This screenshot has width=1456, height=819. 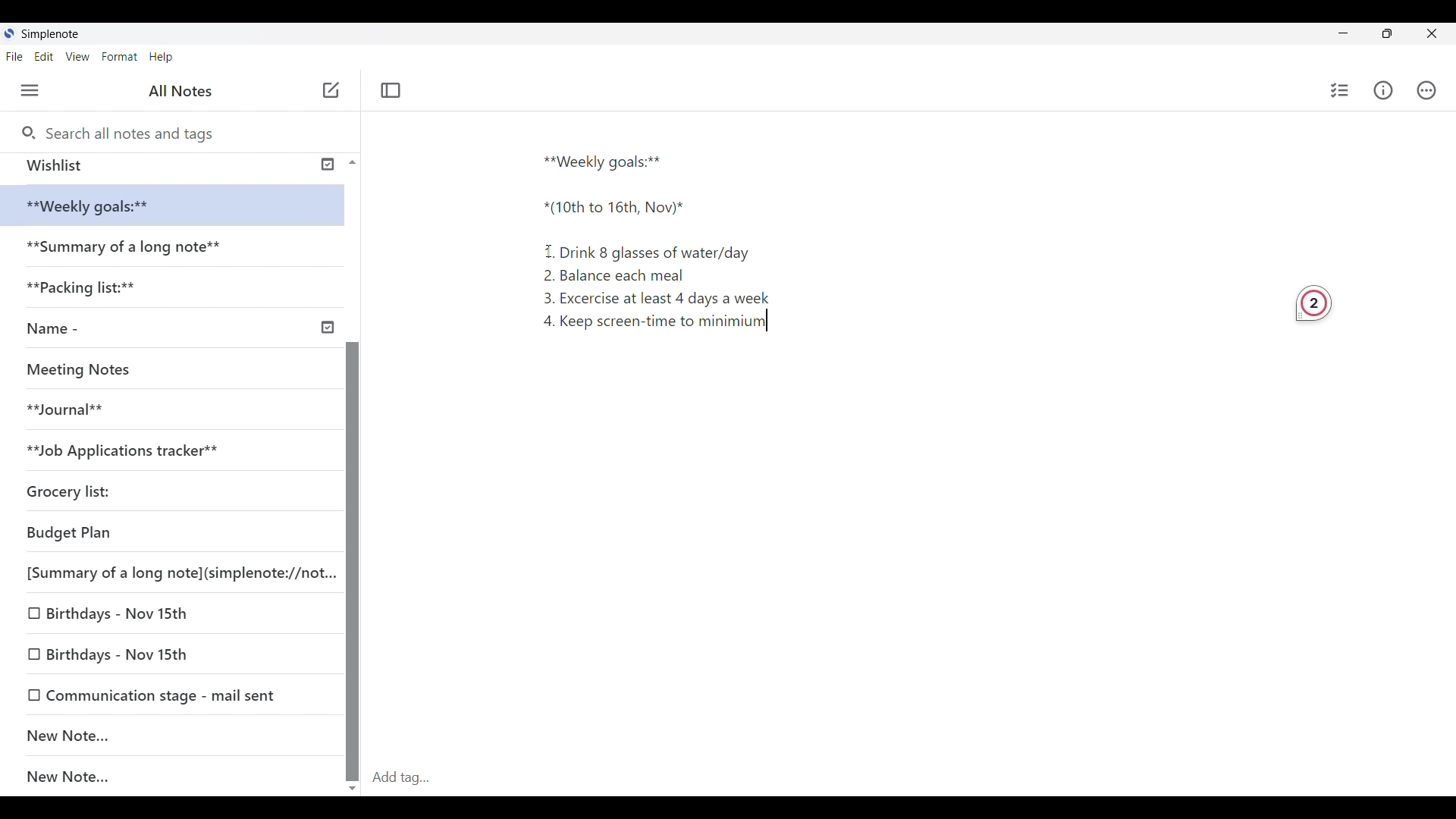 What do you see at coordinates (99, 206) in the screenshot?
I see `**Weekly goals:**` at bounding box center [99, 206].